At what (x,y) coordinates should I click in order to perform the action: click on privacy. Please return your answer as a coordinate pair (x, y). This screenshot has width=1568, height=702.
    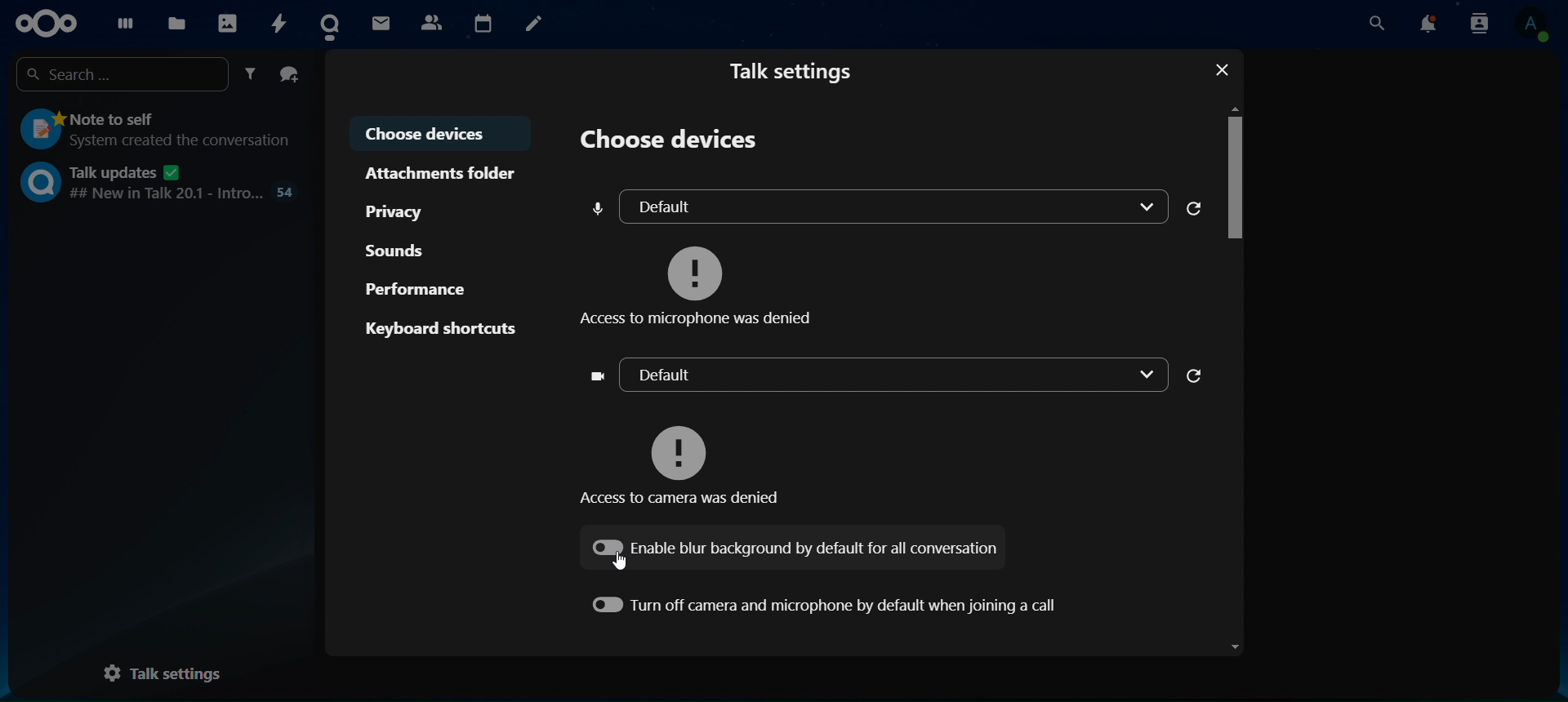
    Looking at the image, I should click on (400, 213).